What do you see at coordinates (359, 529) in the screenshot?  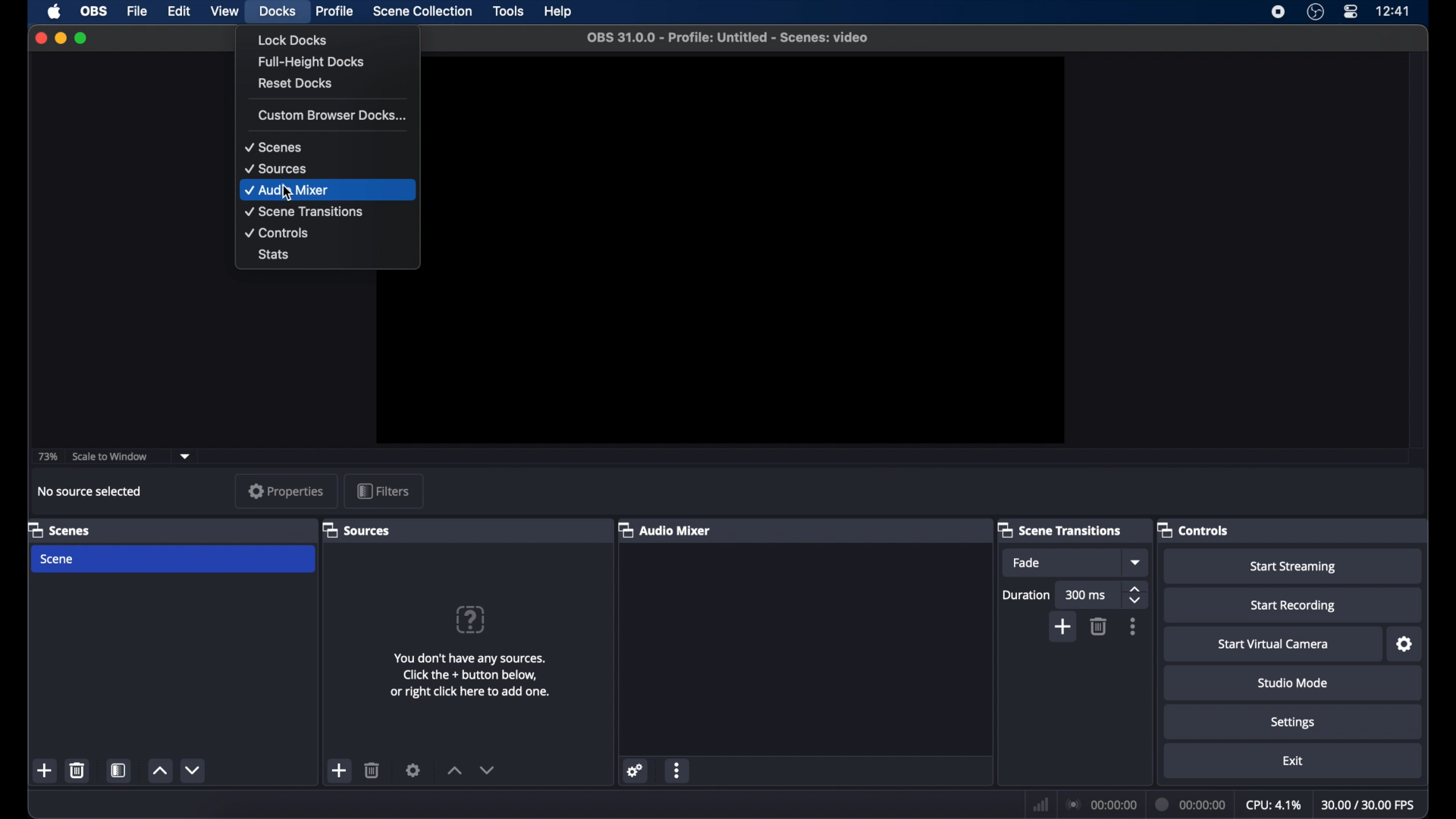 I see `sources` at bounding box center [359, 529].